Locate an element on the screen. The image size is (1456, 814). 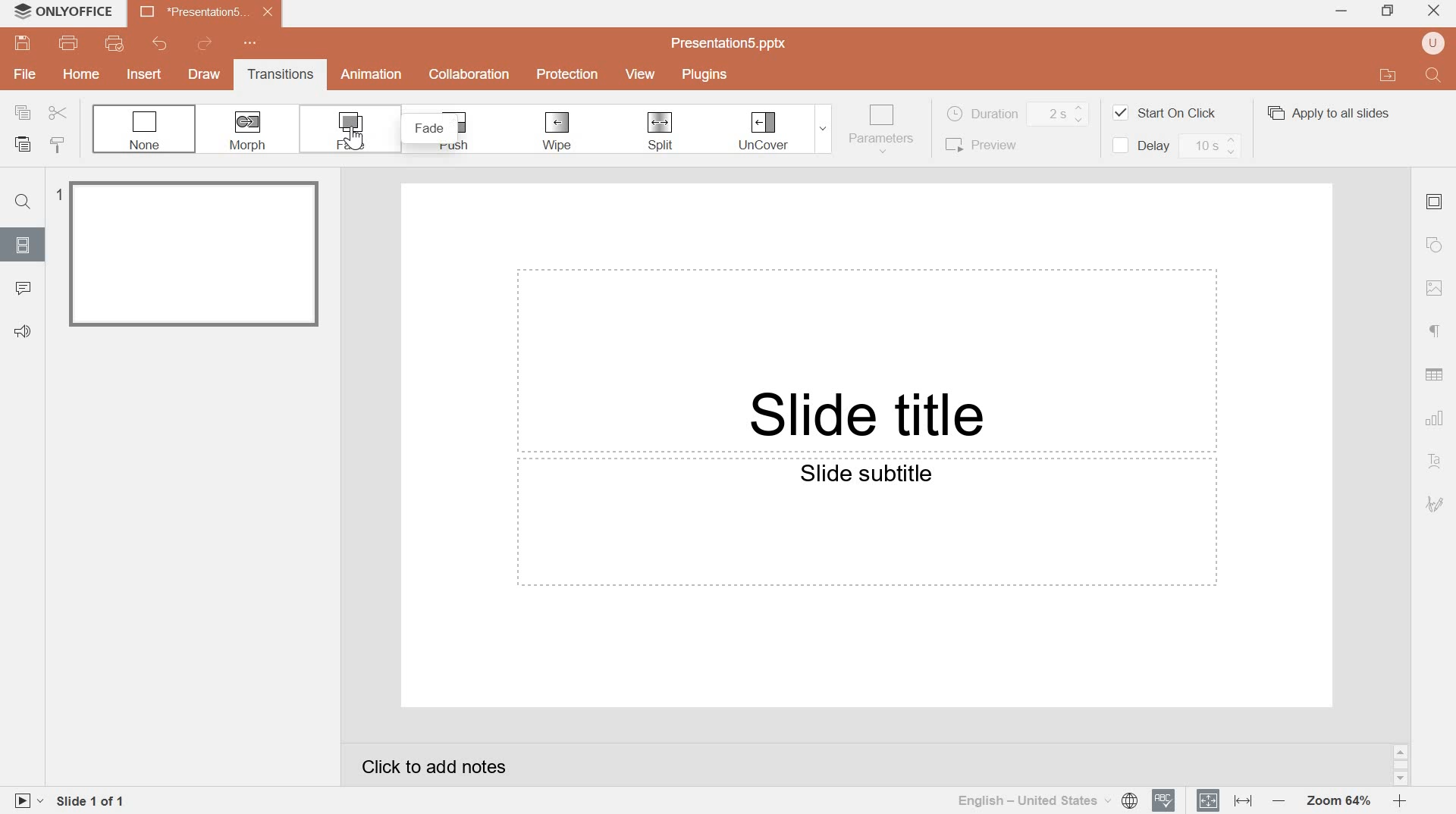
Text field is located at coordinates (865, 524).